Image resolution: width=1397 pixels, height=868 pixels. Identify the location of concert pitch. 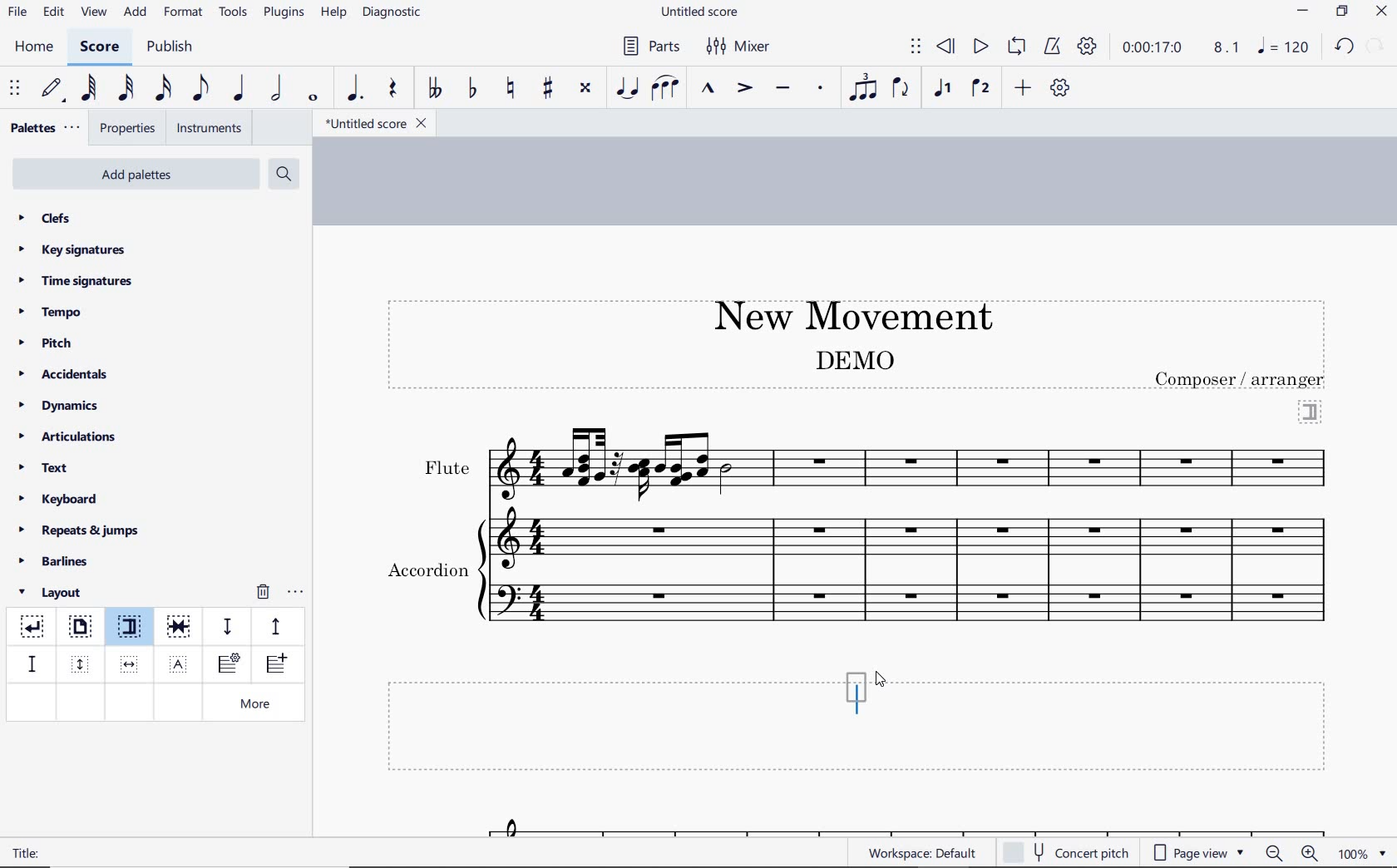
(1068, 851).